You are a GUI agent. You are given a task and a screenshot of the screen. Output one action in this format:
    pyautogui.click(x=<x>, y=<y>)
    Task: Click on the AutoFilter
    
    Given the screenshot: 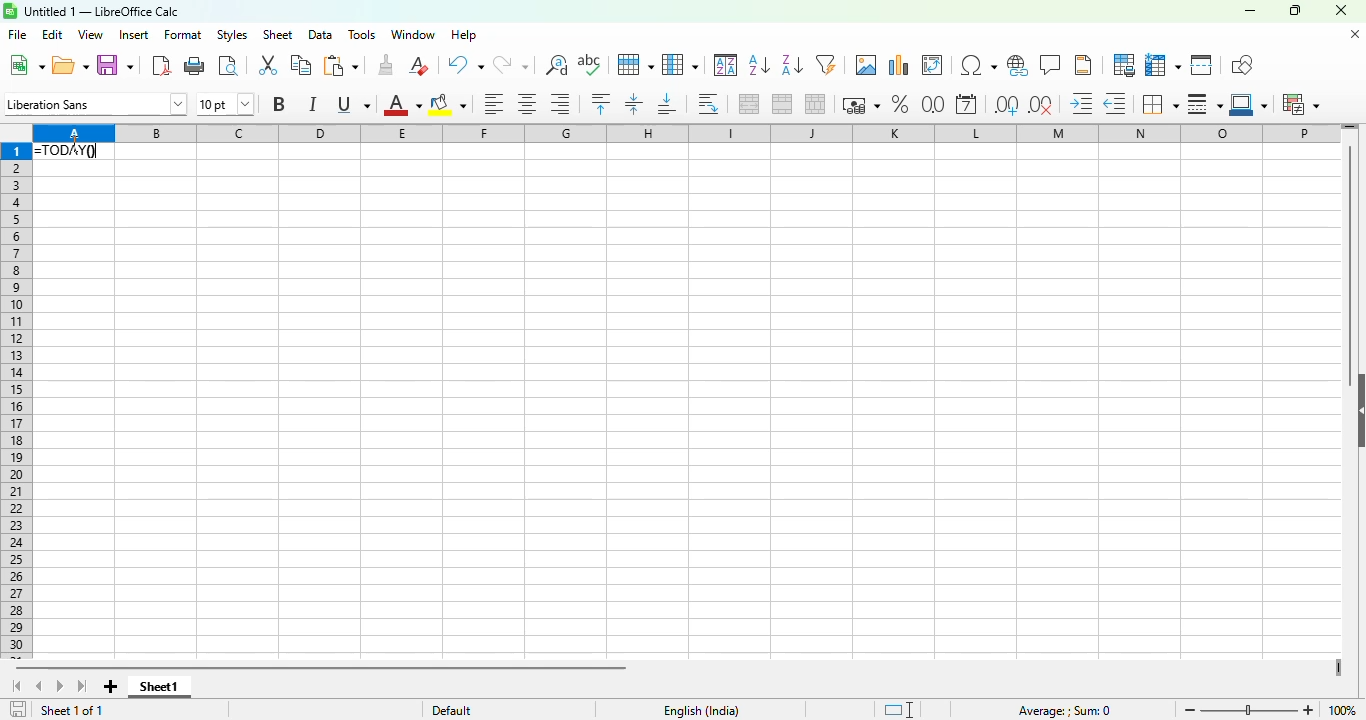 What is the action you would take?
    pyautogui.click(x=826, y=64)
    